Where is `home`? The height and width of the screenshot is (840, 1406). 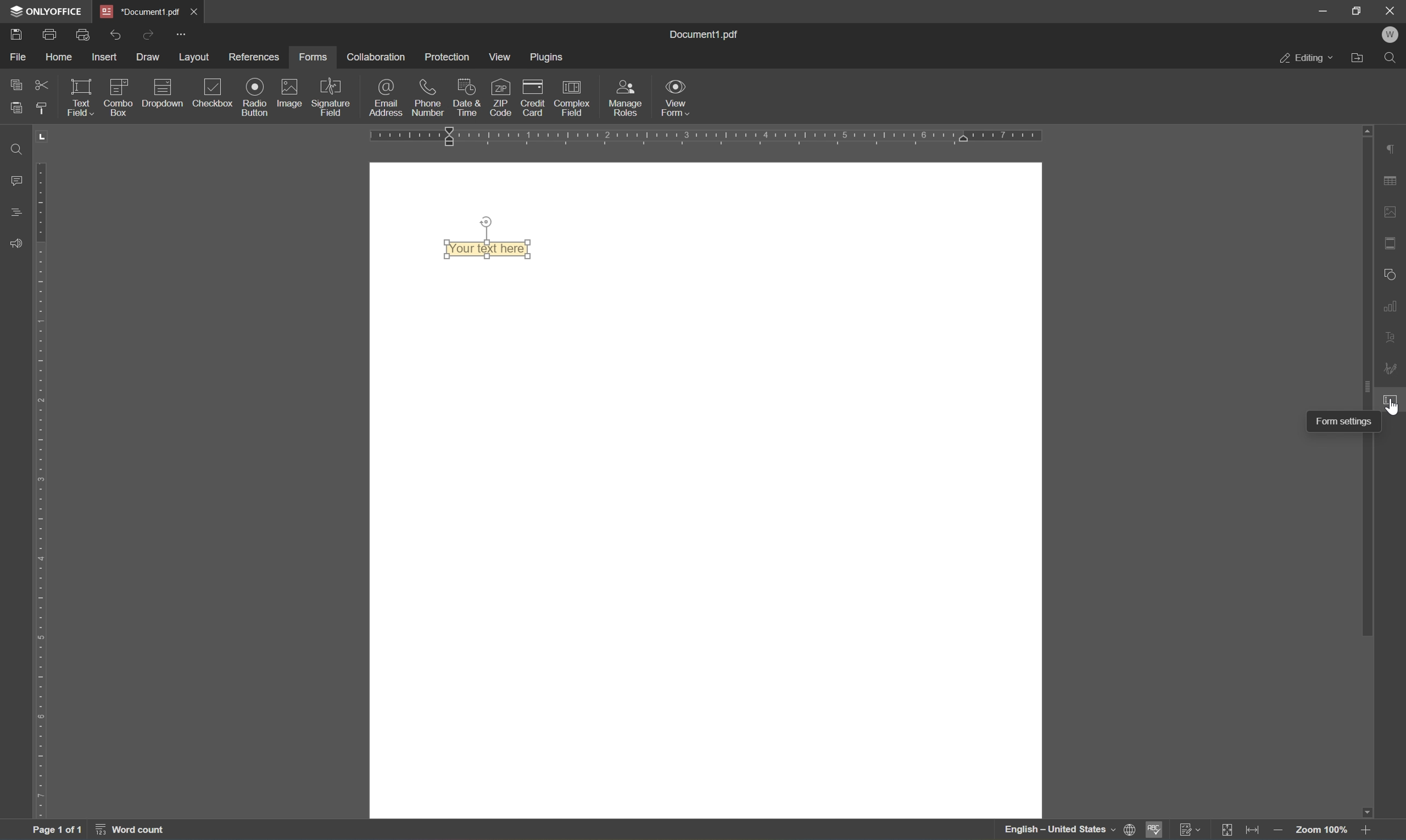
home is located at coordinates (60, 57).